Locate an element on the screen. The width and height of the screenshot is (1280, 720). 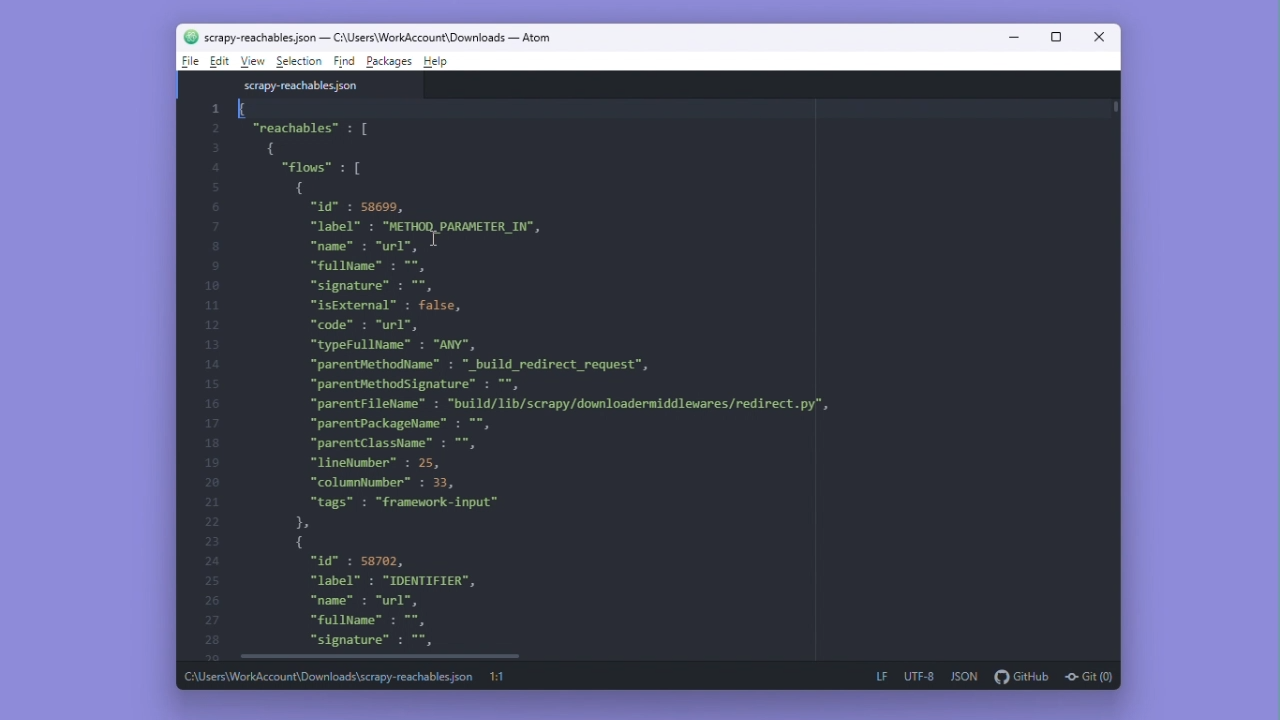
C:\Users\WorkAccount\Downloads\scrapy-reachables.json is located at coordinates (327, 677).